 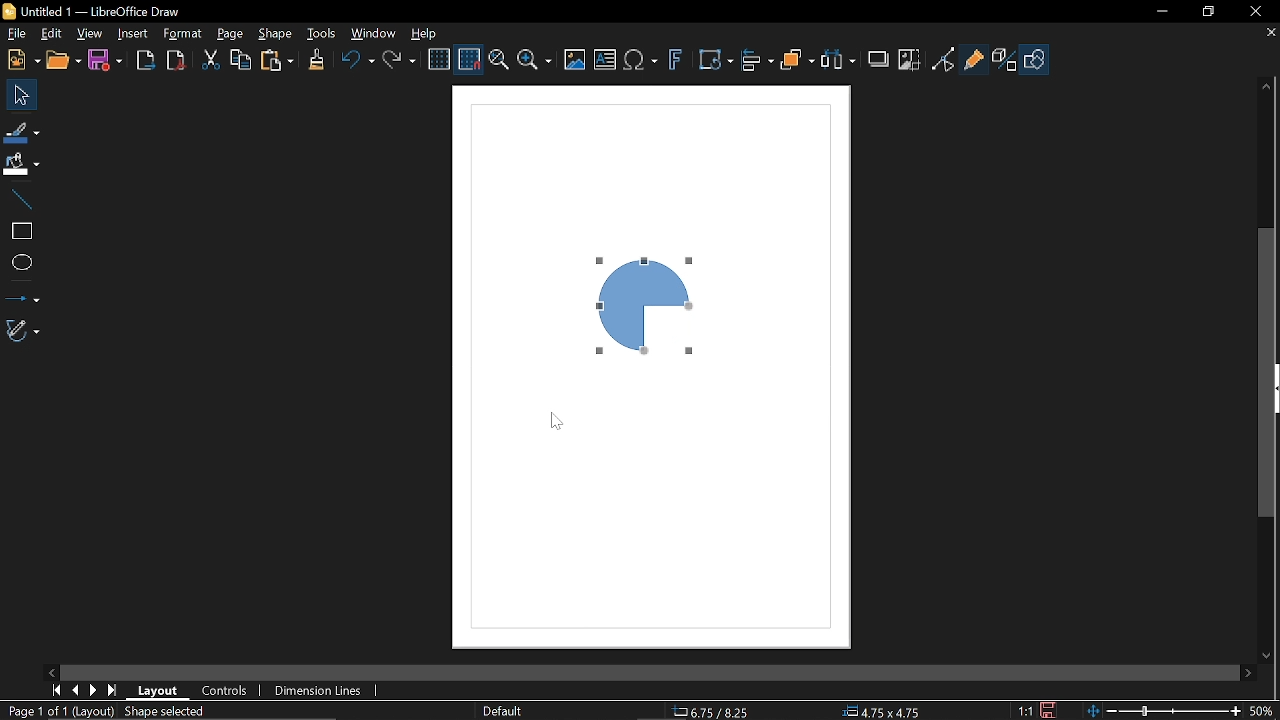 What do you see at coordinates (1026, 710) in the screenshot?
I see `1:1 (Scaling factor)` at bounding box center [1026, 710].